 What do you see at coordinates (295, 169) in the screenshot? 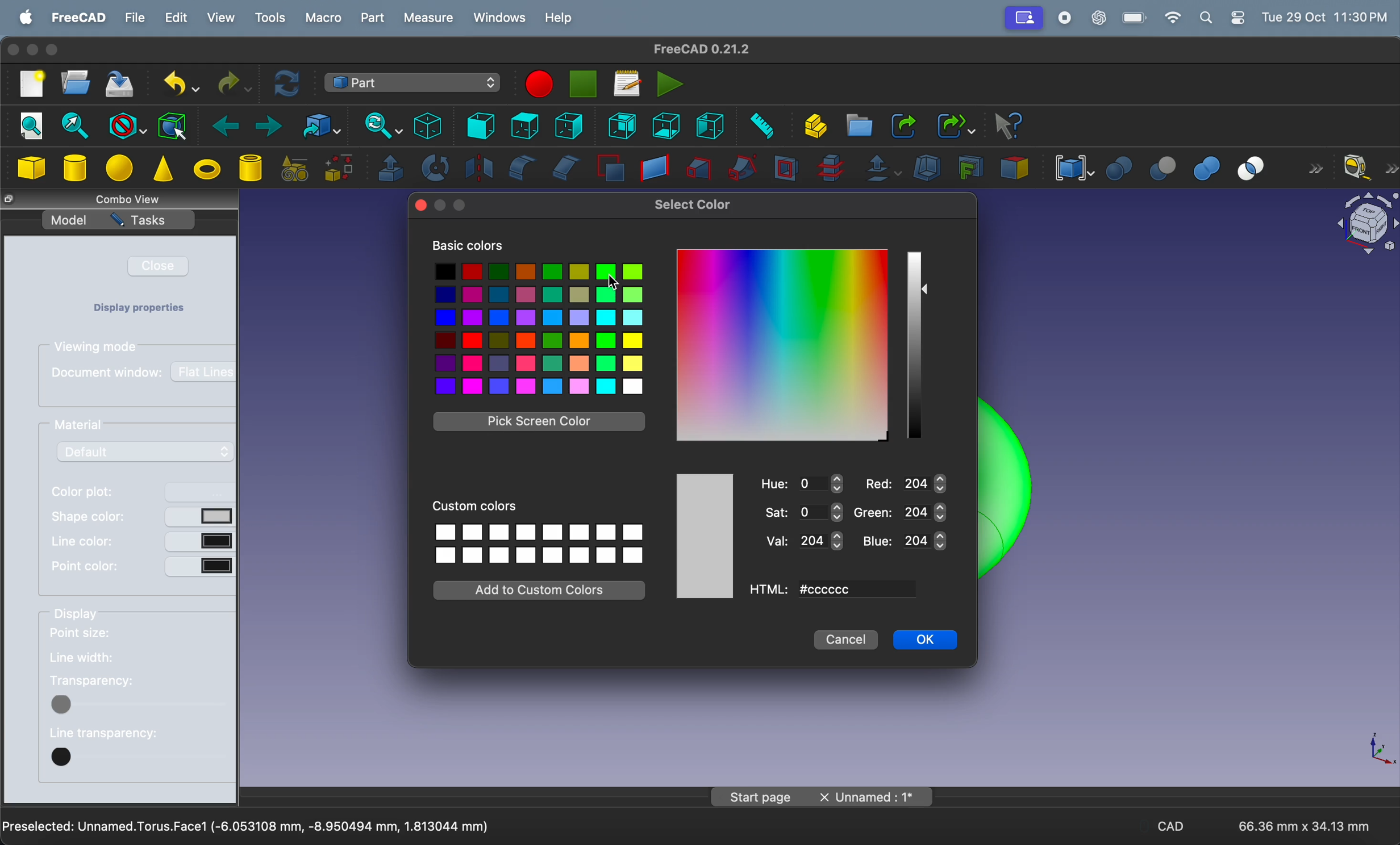
I see `create primitives` at bounding box center [295, 169].